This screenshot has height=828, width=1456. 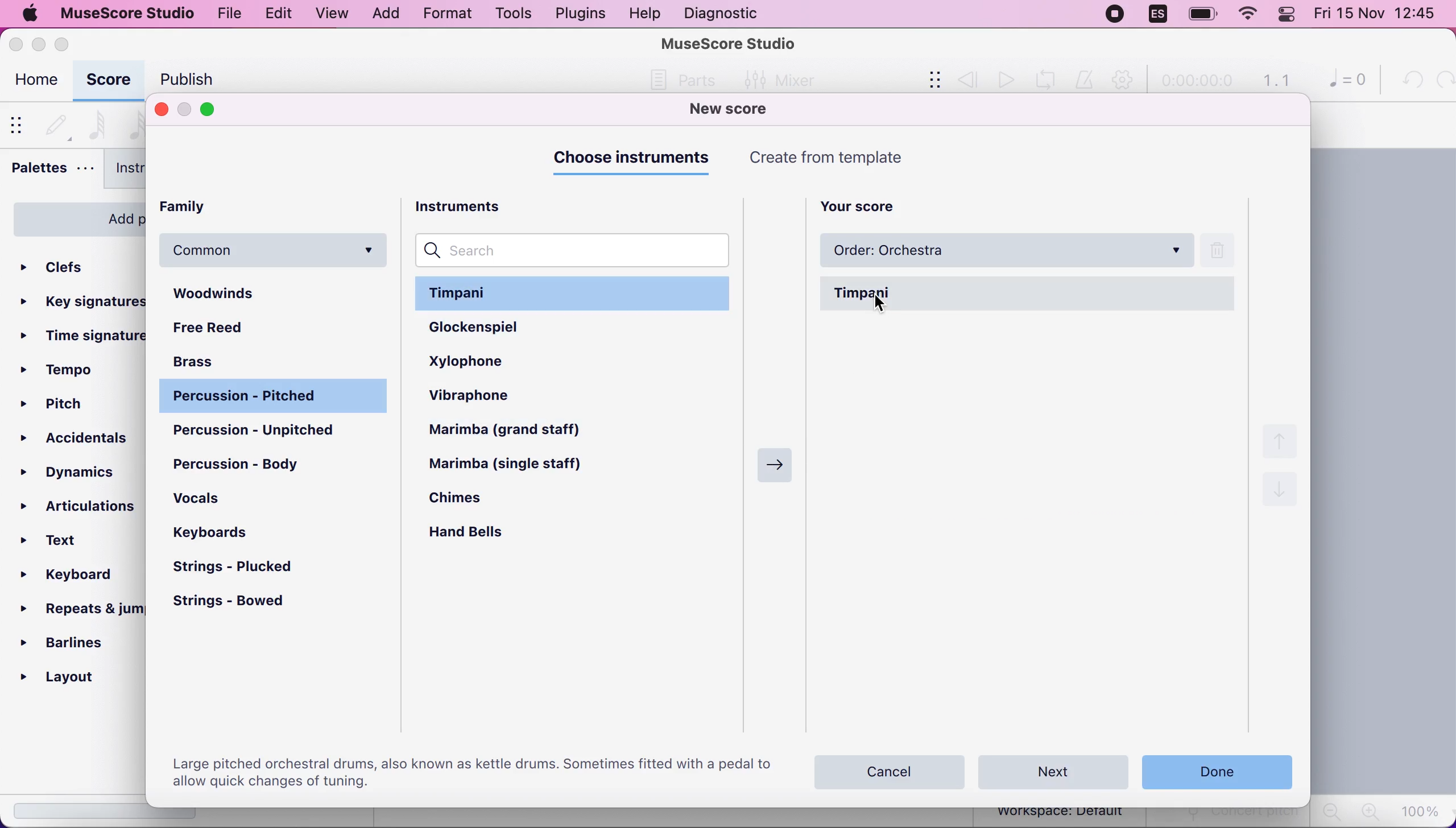 What do you see at coordinates (38, 42) in the screenshot?
I see `minimize` at bounding box center [38, 42].